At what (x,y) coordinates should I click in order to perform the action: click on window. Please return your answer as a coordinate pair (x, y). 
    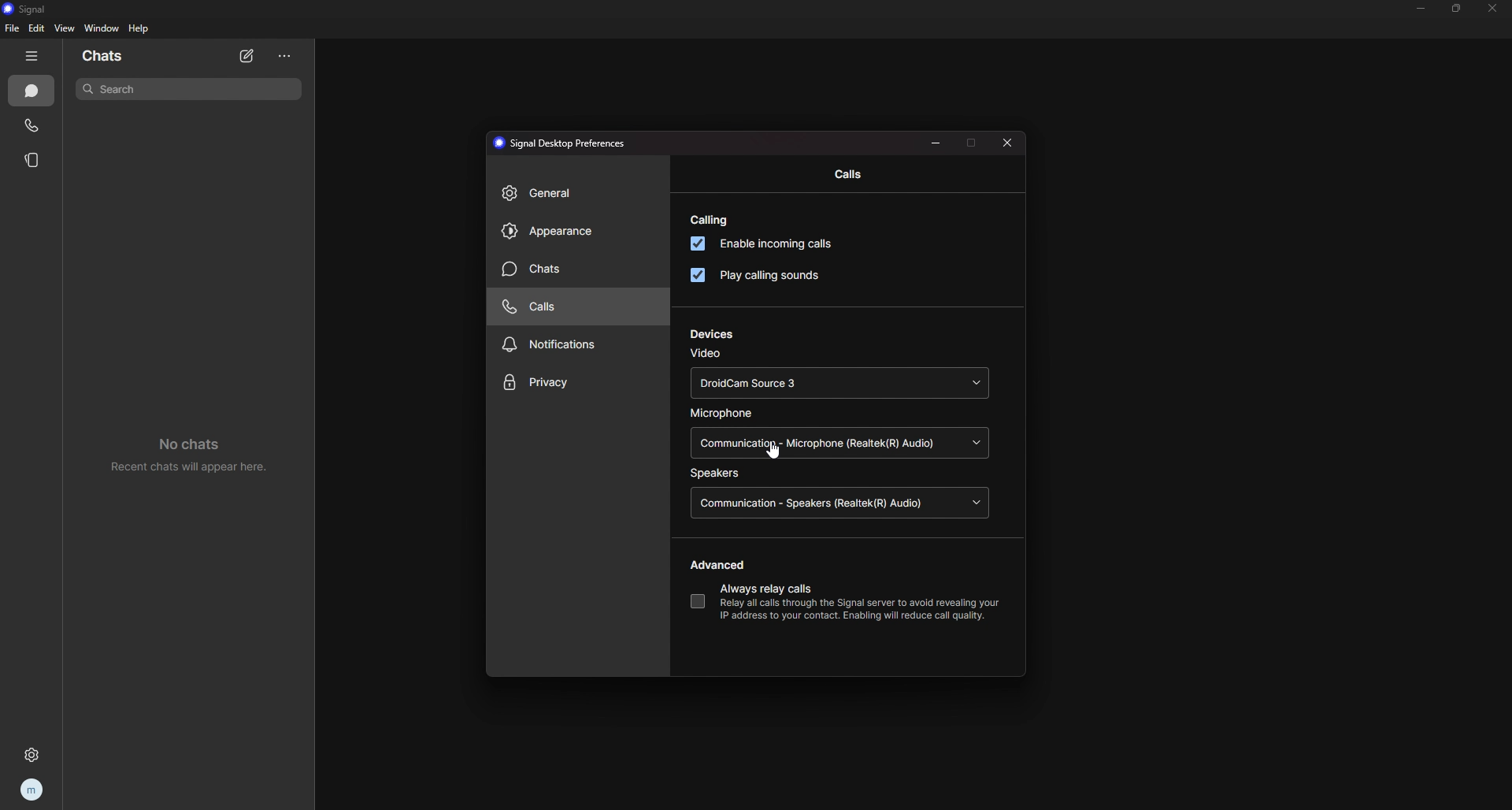
    Looking at the image, I should click on (102, 28).